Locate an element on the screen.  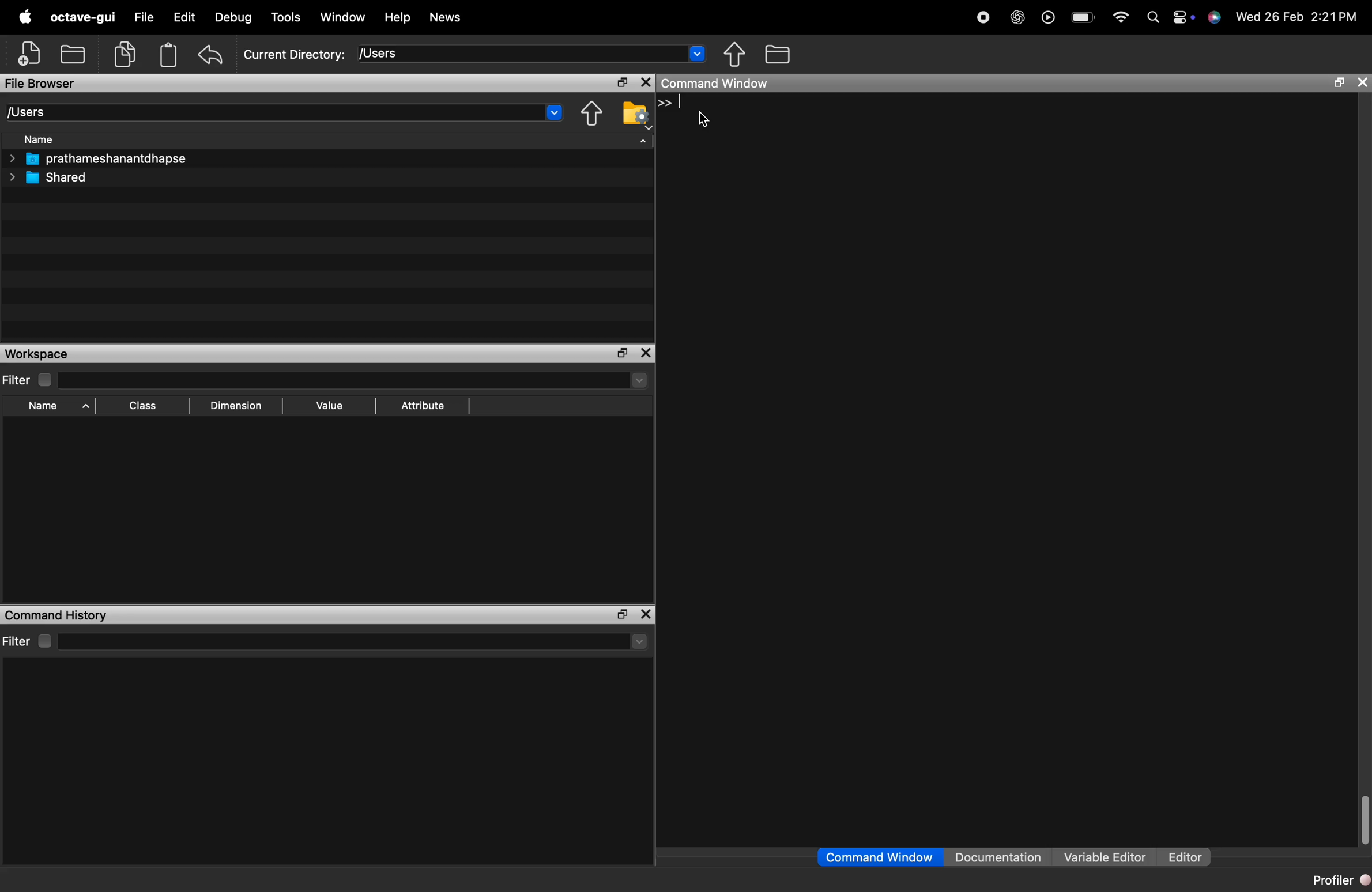
scroll bar is located at coordinates (1363, 821).